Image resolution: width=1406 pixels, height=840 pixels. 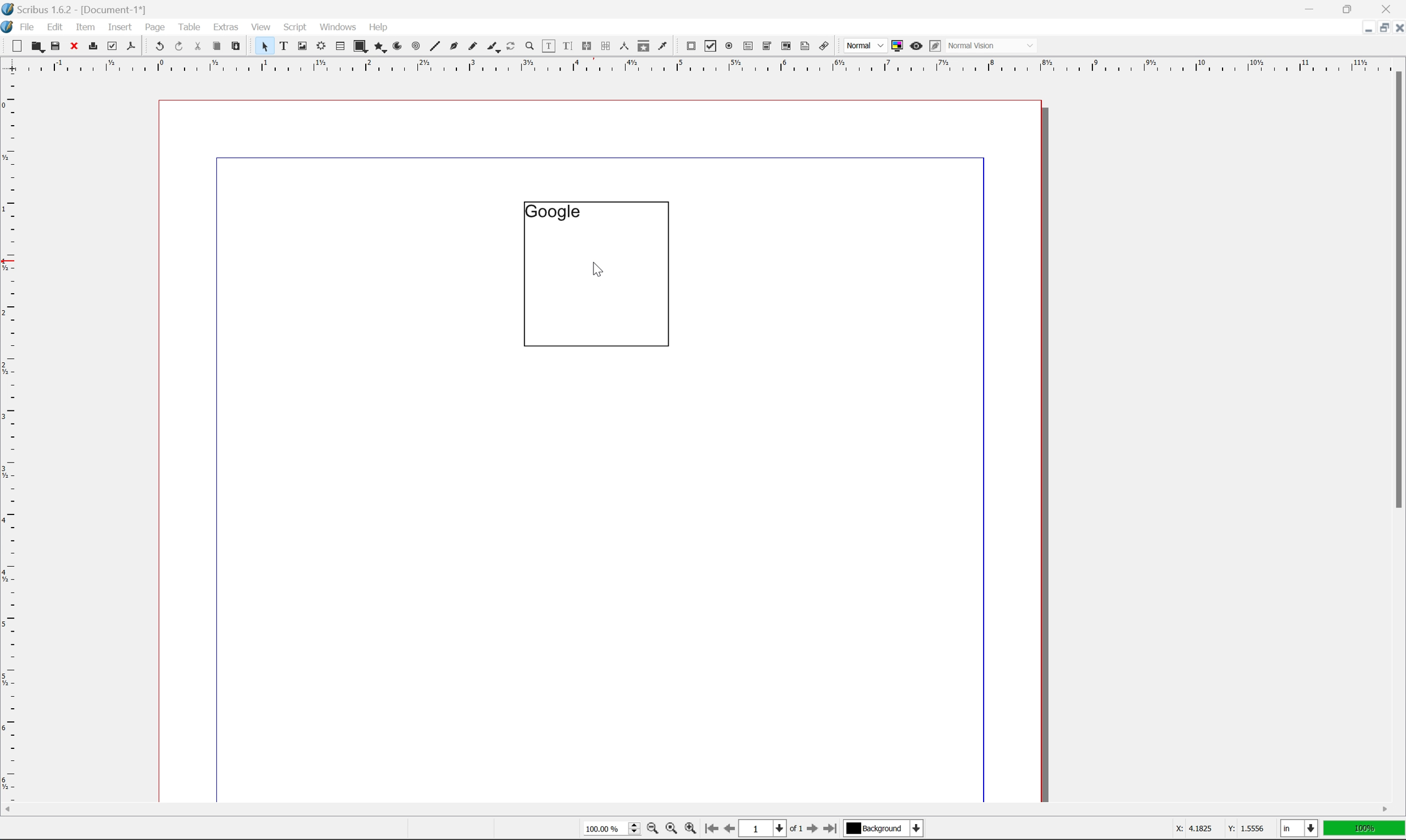 What do you see at coordinates (237, 46) in the screenshot?
I see `paste` at bounding box center [237, 46].